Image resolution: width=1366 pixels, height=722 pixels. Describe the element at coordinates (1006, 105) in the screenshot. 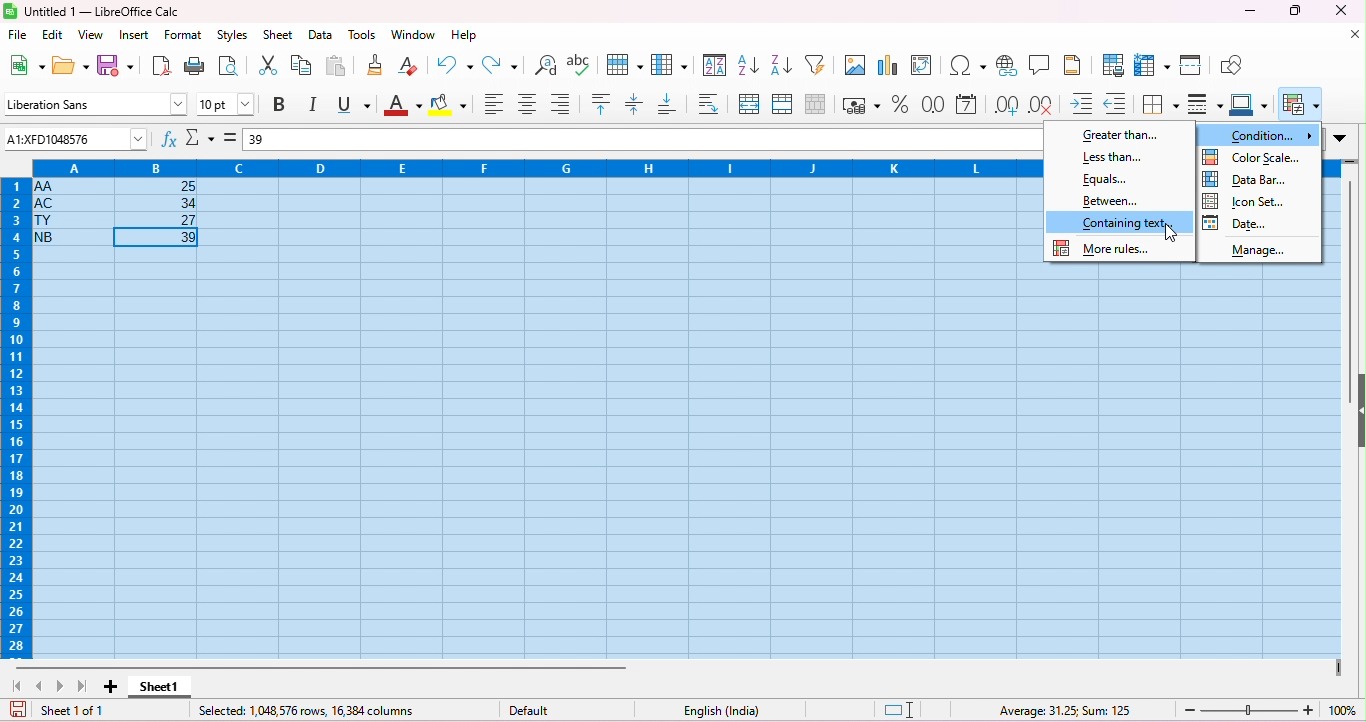

I see `add decimal` at that location.